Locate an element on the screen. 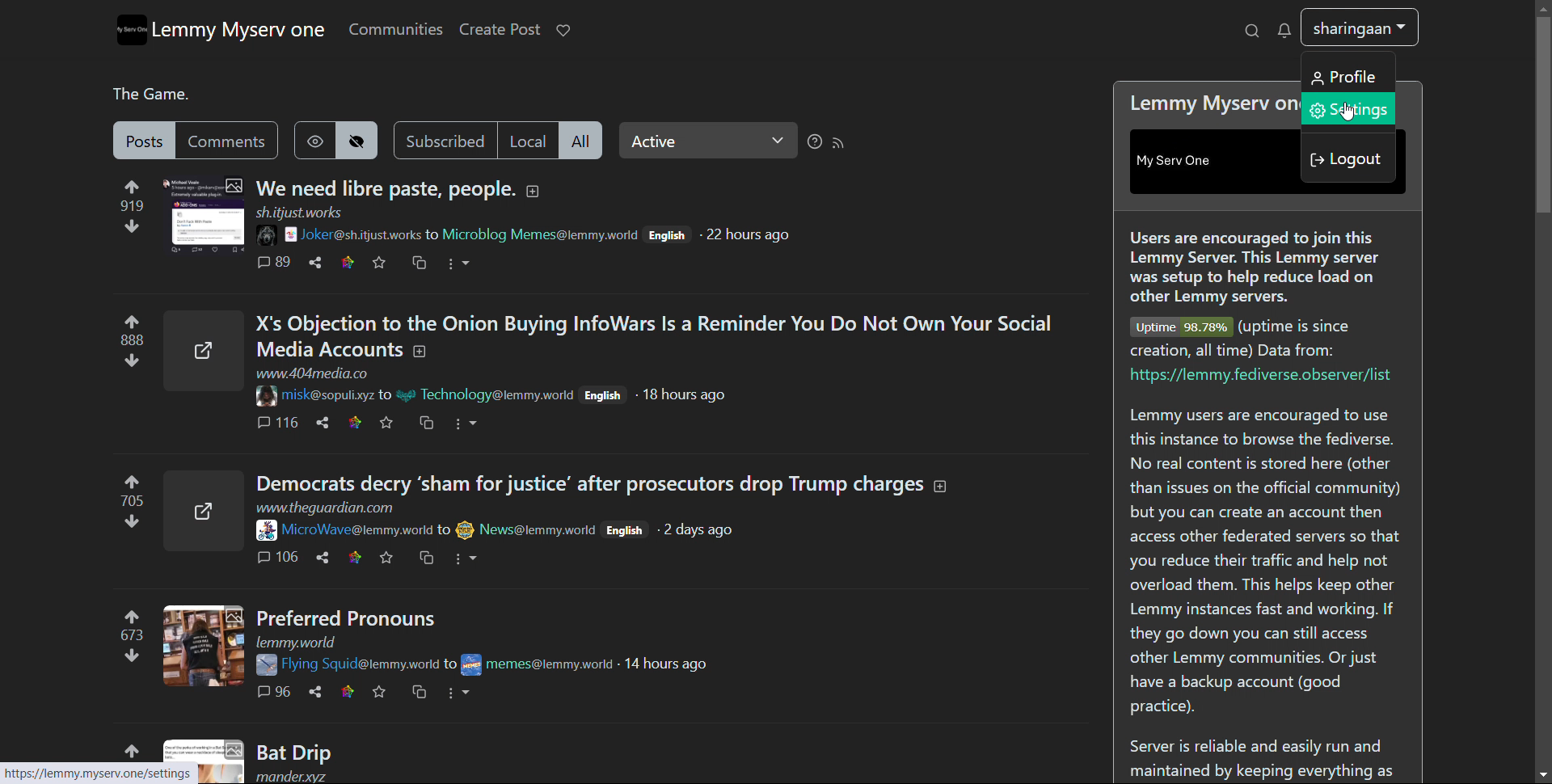 Image resolution: width=1552 pixels, height=784 pixels. We need libre paste, people. is located at coordinates (383, 188).